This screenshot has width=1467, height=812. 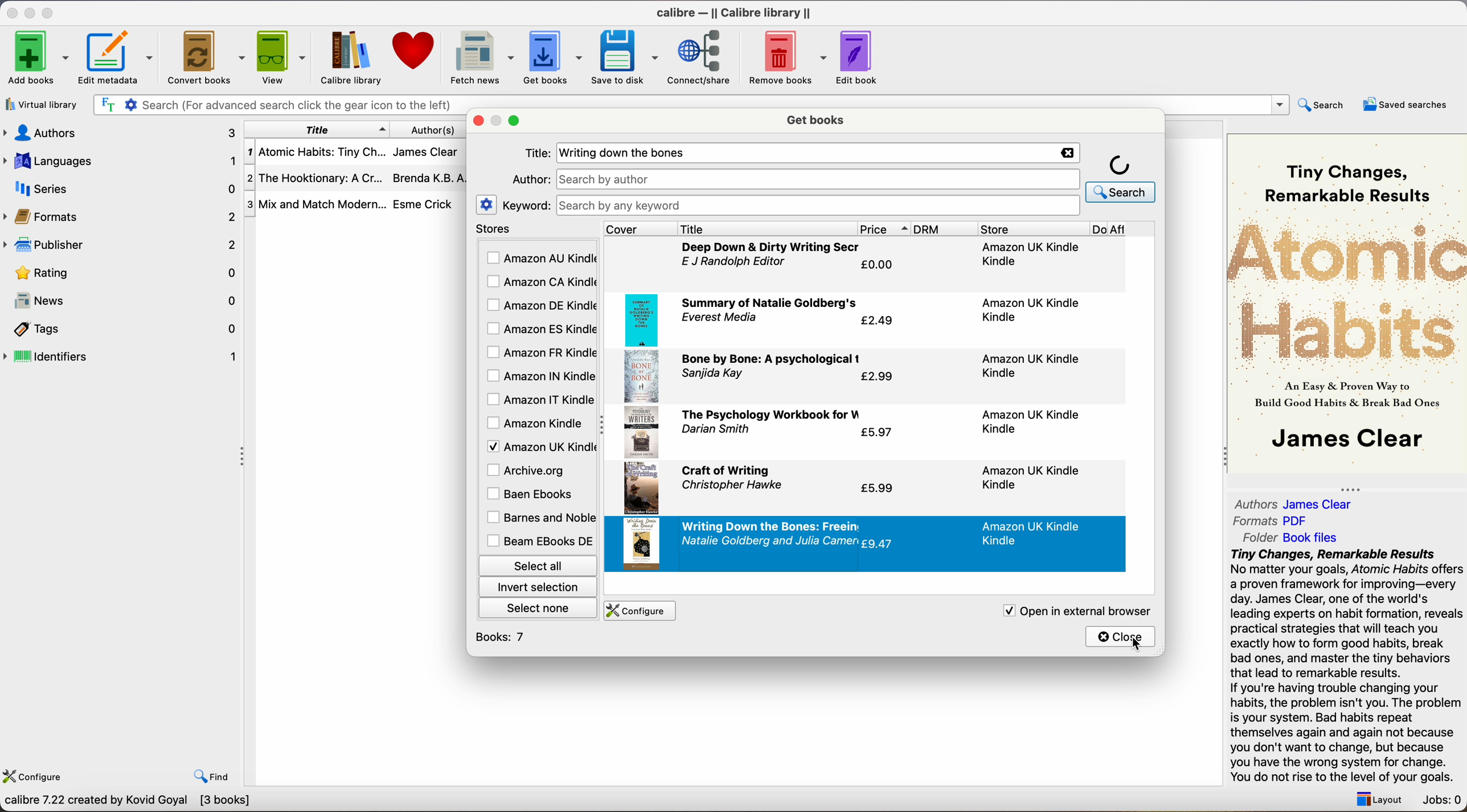 I want to click on Jobs: 0, so click(x=1443, y=801).